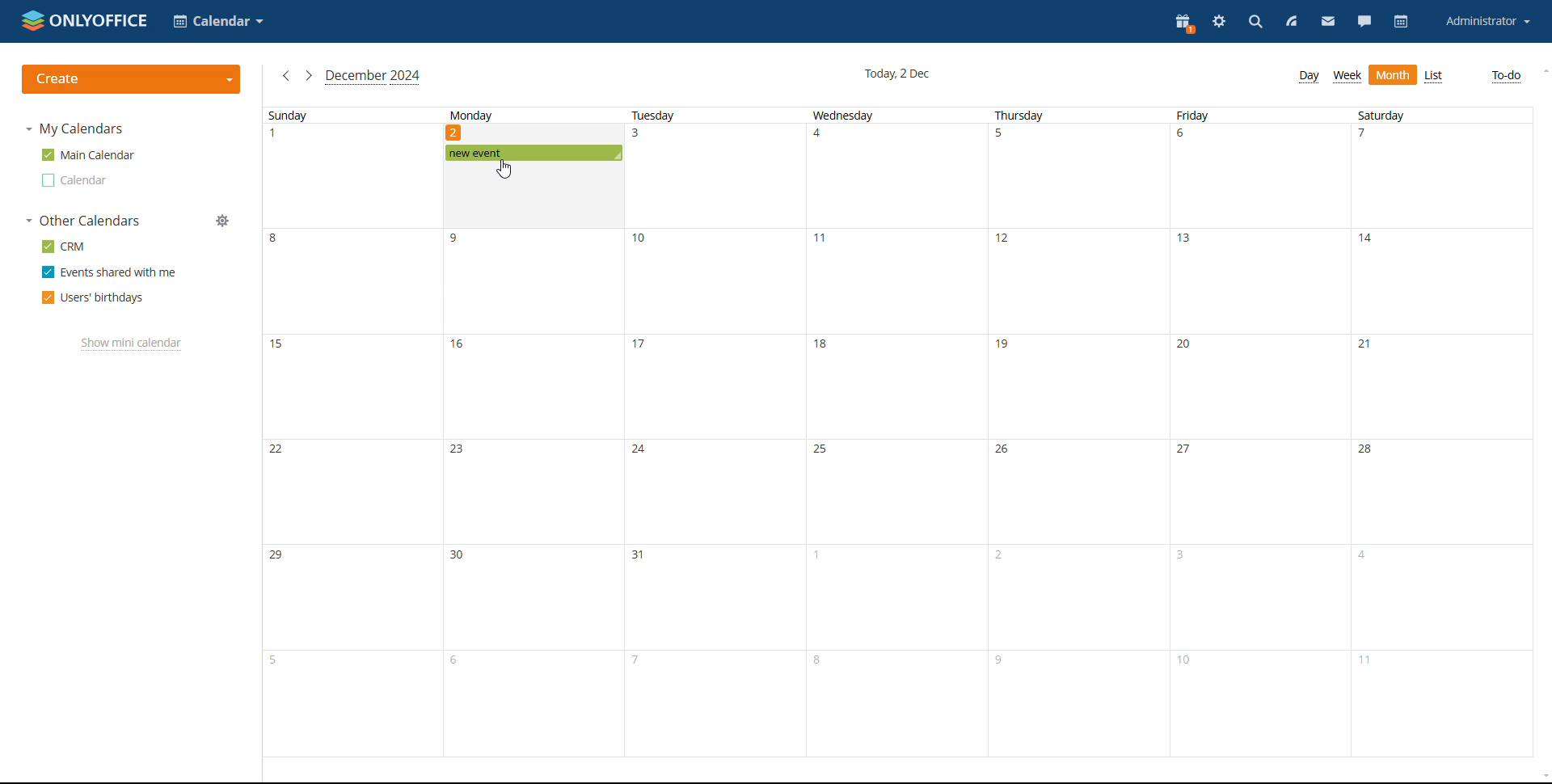 Image resolution: width=1552 pixels, height=784 pixels. I want to click on other calendar, so click(72, 180).